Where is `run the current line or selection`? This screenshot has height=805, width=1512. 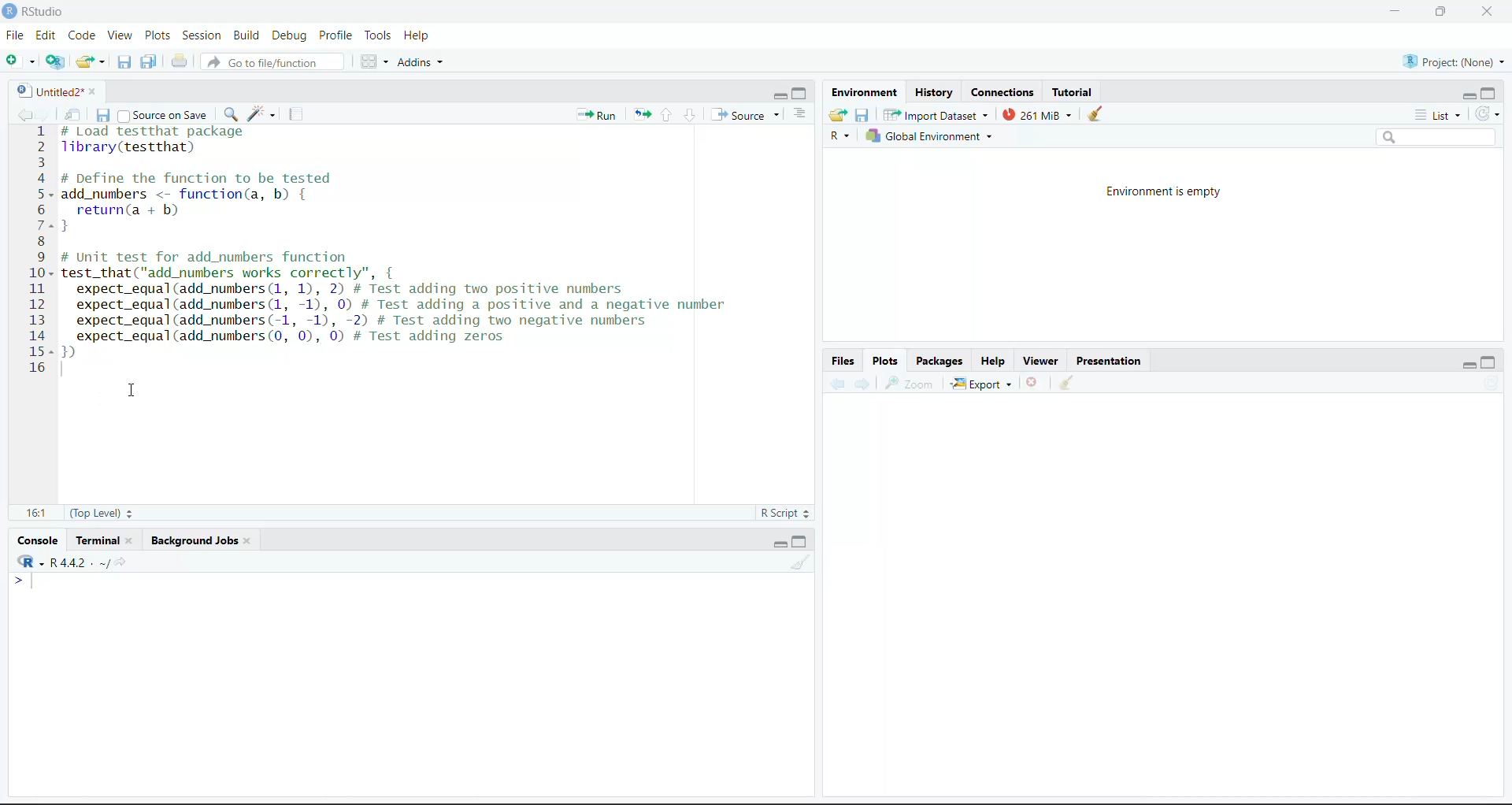
run the current line or selection is located at coordinates (599, 113).